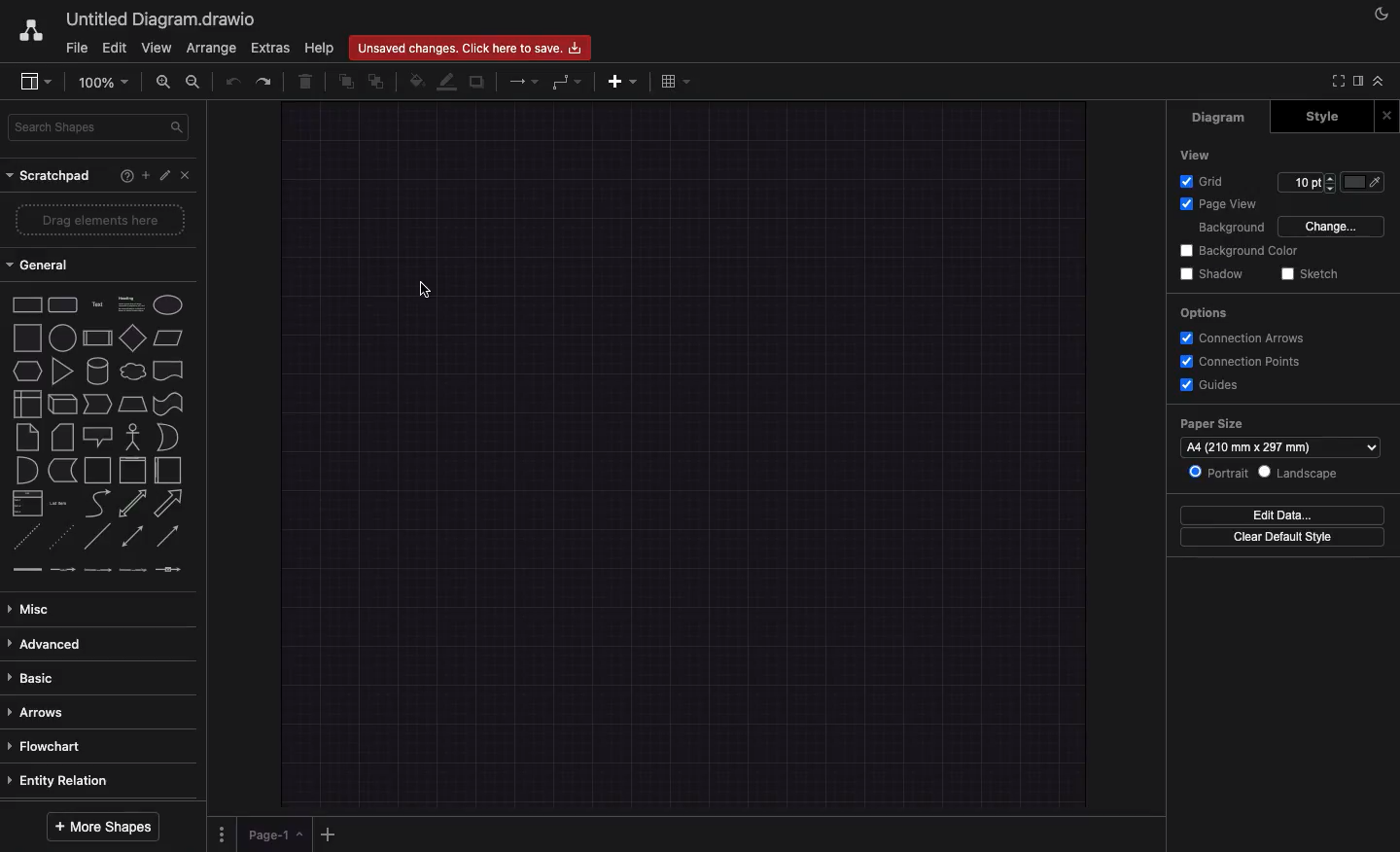  What do you see at coordinates (98, 538) in the screenshot?
I see `line` at bounding box center [98, 538].